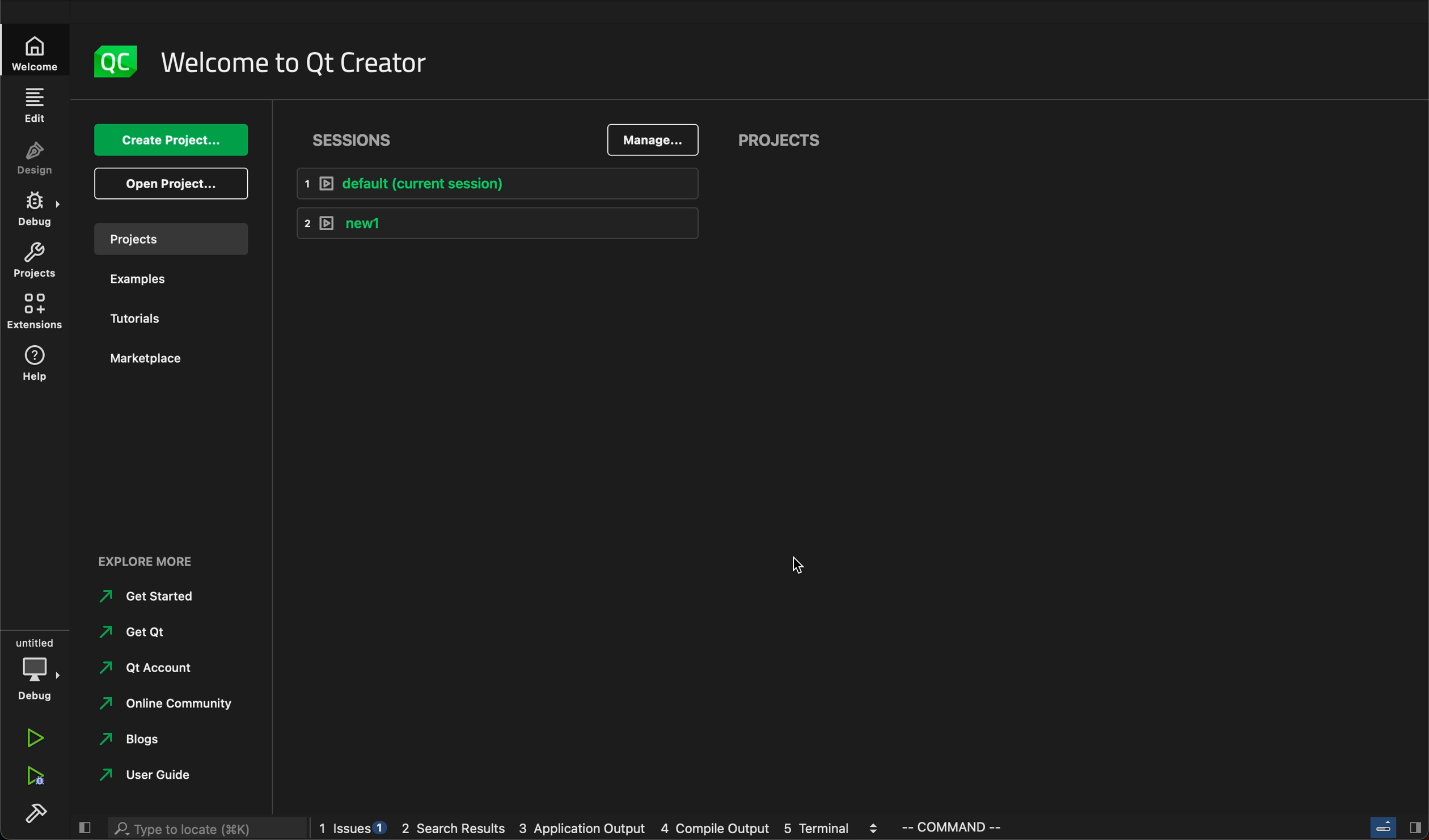 The height and width of the screenshot is (840, 1429). What do you see at coordinates (37, 774) in the screenshot?
I see `run debug` at bounding box center [37, 774].